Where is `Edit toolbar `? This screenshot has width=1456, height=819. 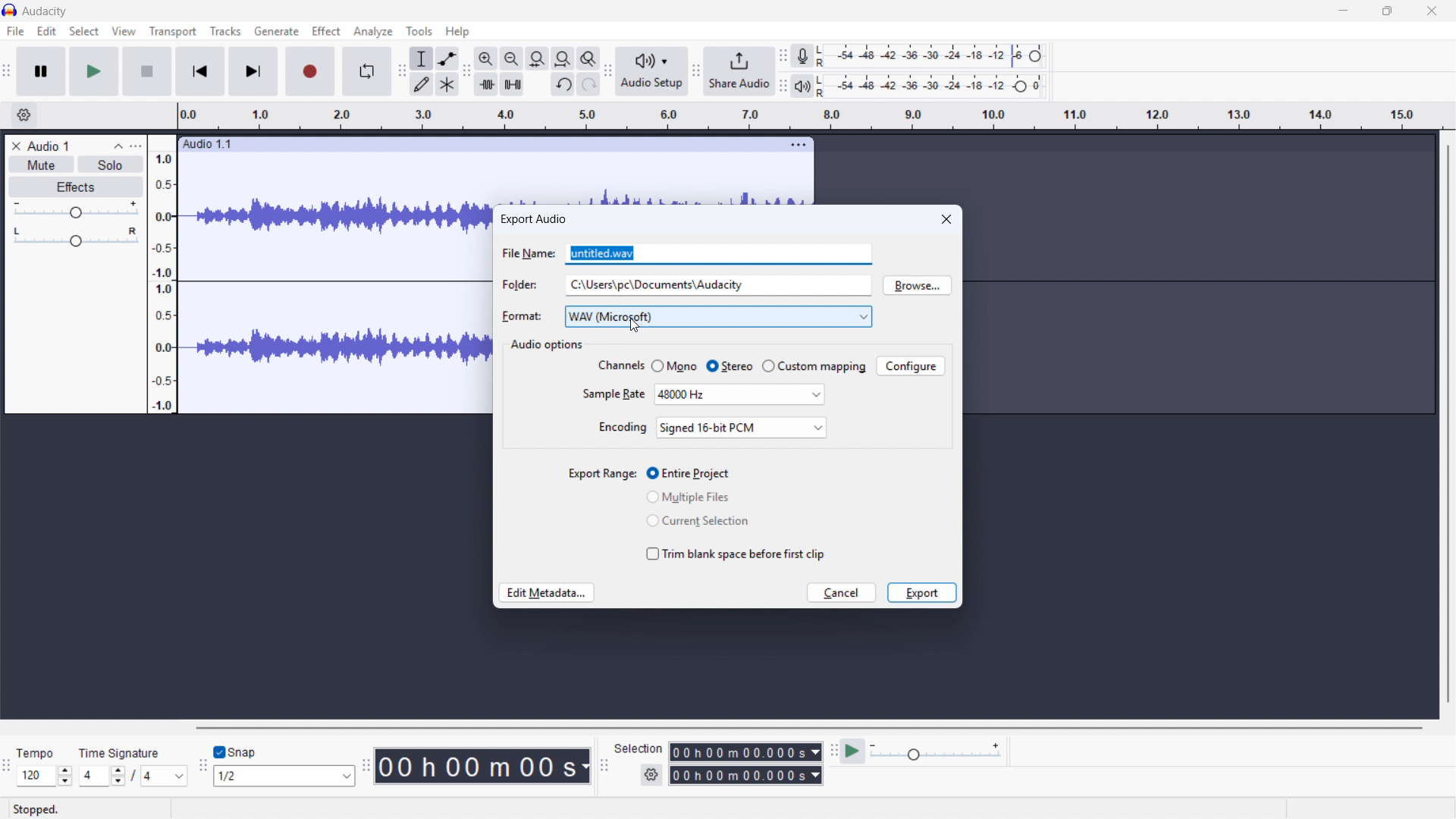
Edit toolbar  is located at coordinates (466, 72).